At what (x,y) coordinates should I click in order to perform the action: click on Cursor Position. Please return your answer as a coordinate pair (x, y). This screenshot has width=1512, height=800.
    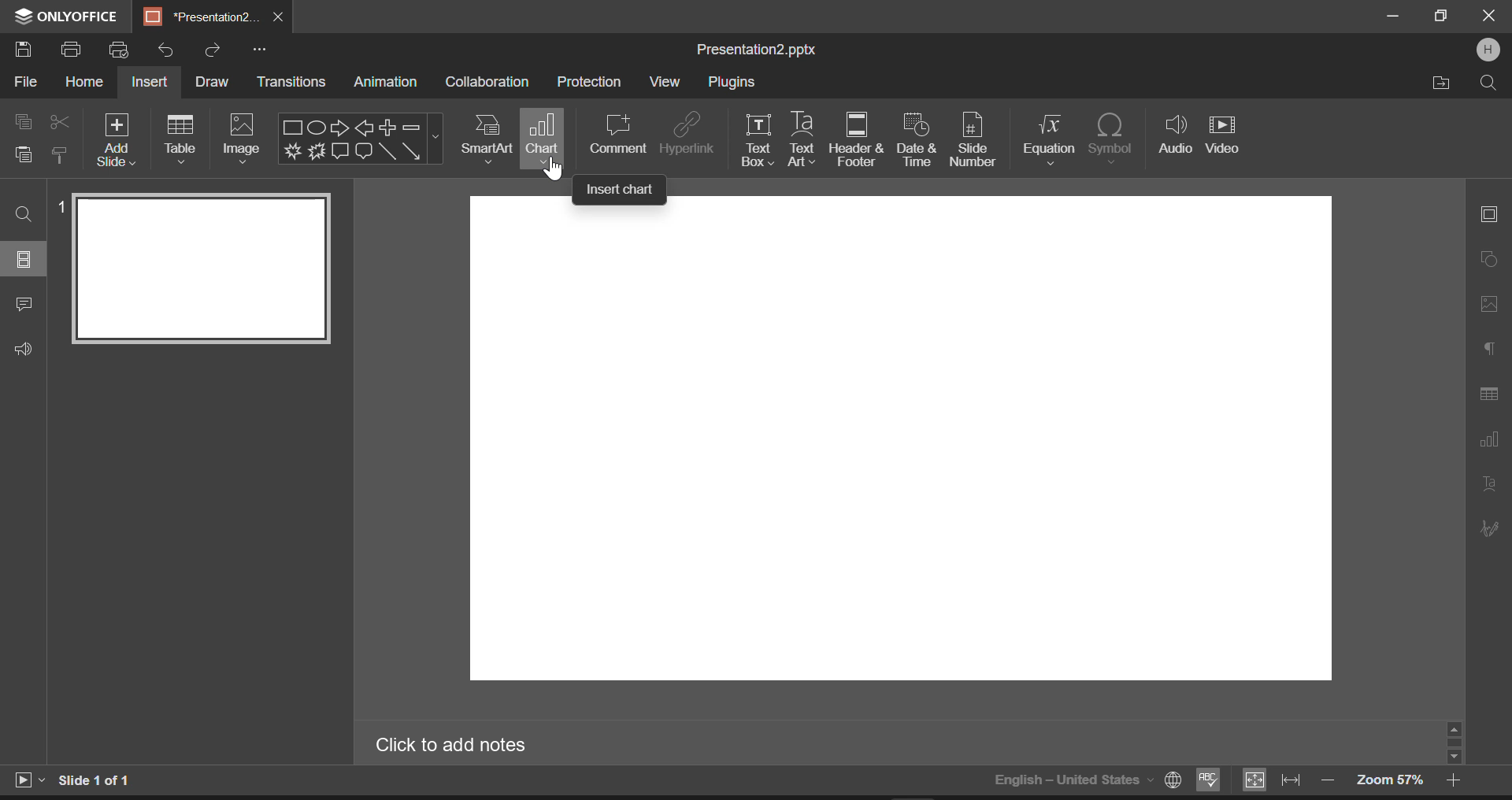
    Looking at the image, I should click on (551, 169).